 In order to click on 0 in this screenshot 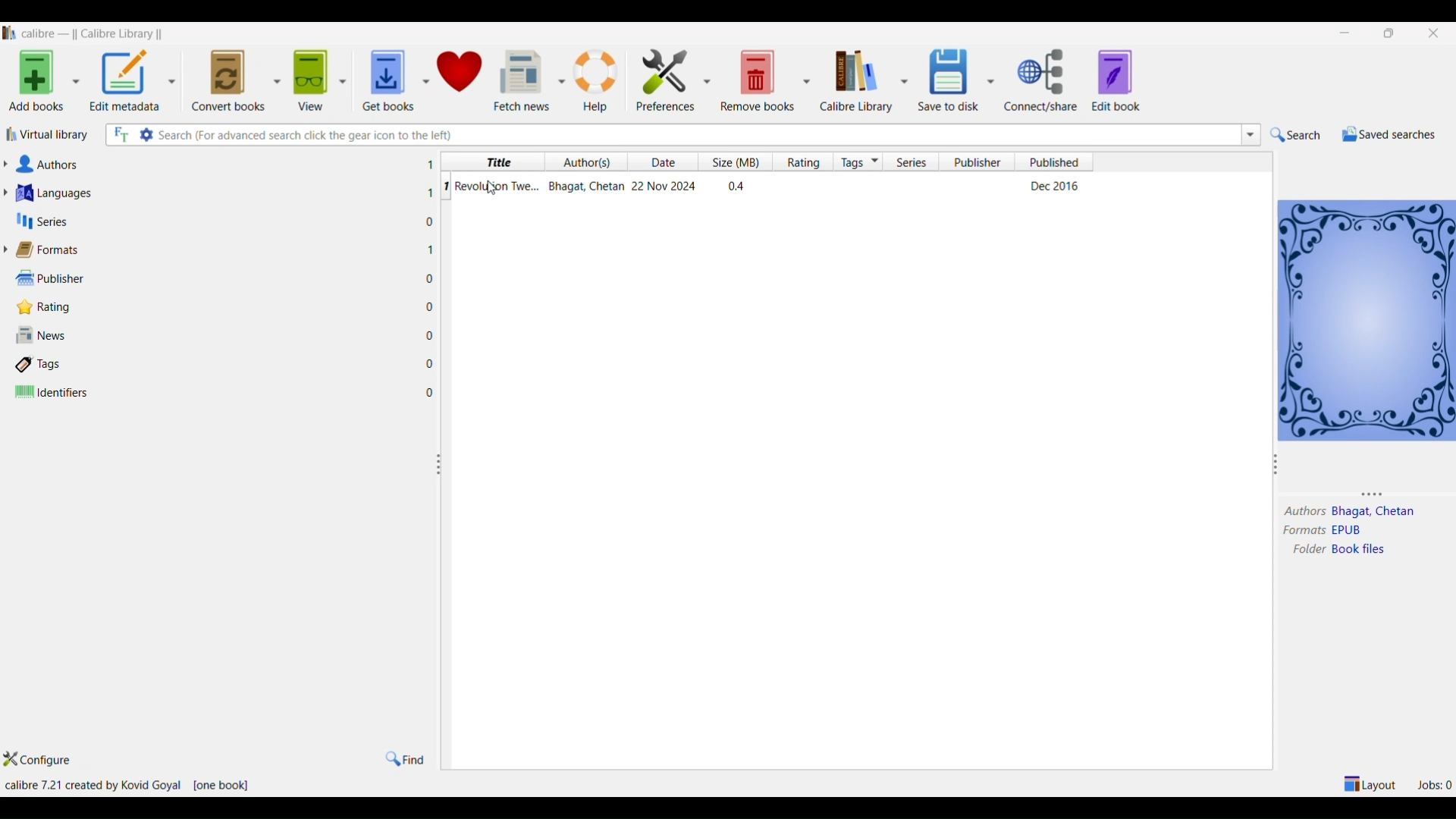, I will do `click(430, 306)`.